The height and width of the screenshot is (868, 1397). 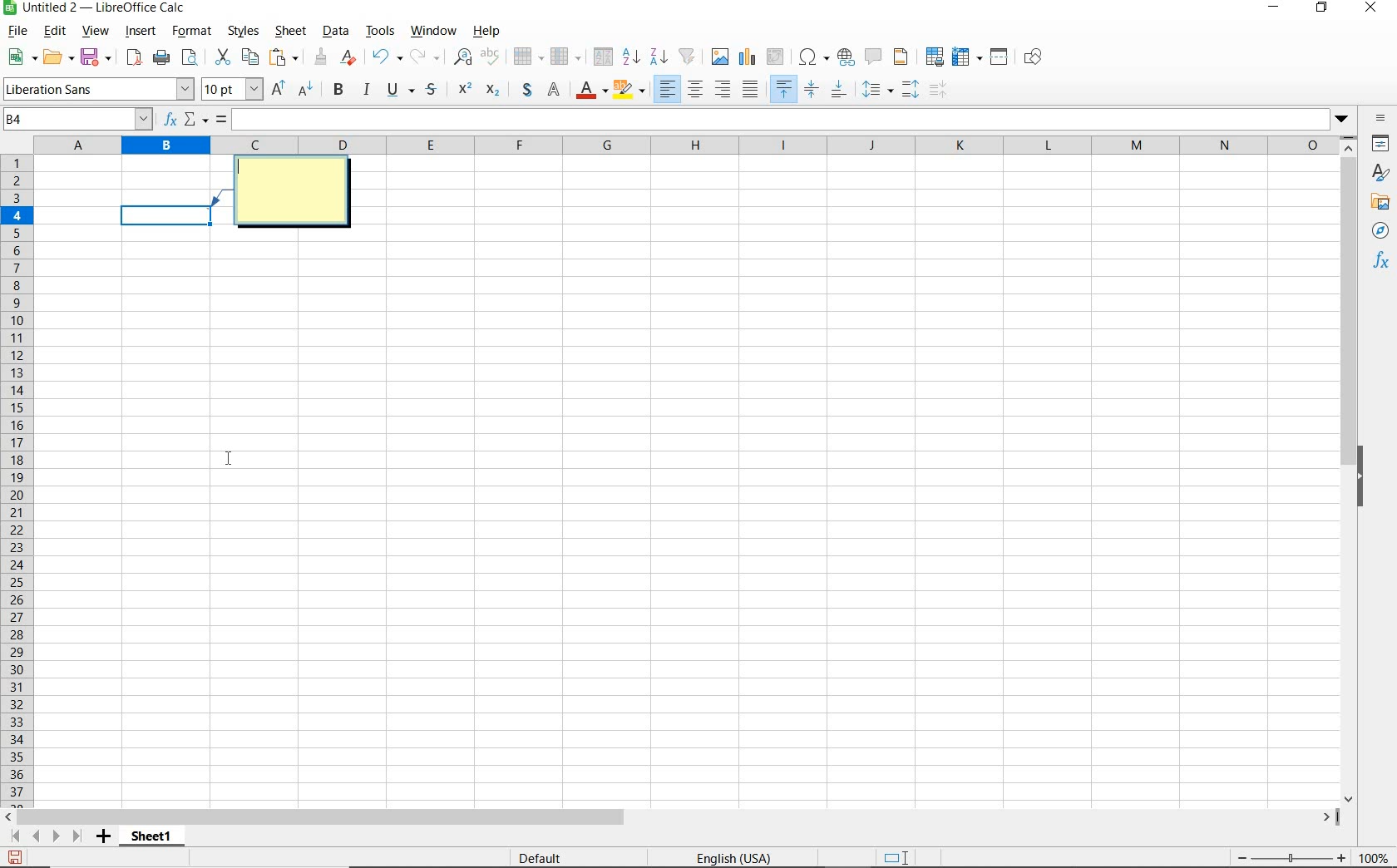 What do you see at coordinates (95, 57) in the screenshot?
I see `save` at bounding box center [95, 57].